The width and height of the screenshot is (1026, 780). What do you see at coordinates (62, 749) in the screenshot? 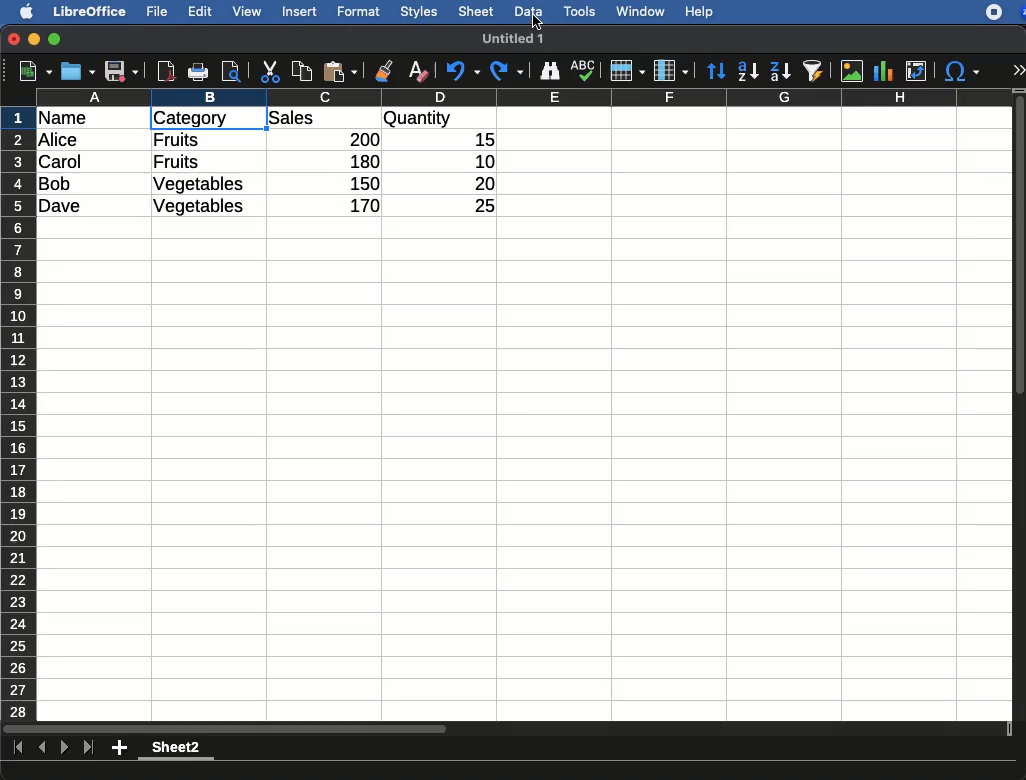
I see `next sheet` at bounding box center [62, 749].